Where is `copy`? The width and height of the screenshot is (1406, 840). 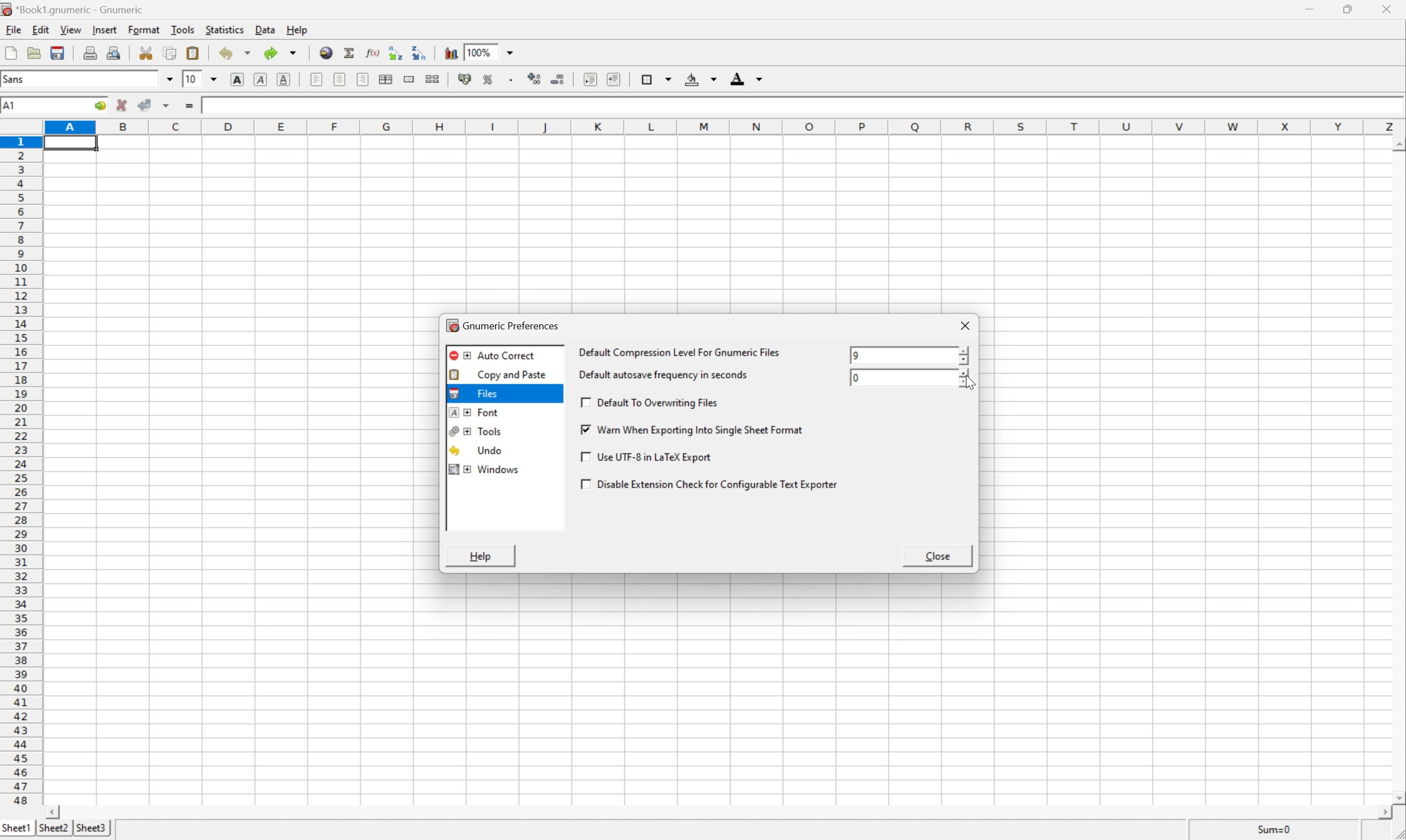 copy is located at coordinates (169, 52).